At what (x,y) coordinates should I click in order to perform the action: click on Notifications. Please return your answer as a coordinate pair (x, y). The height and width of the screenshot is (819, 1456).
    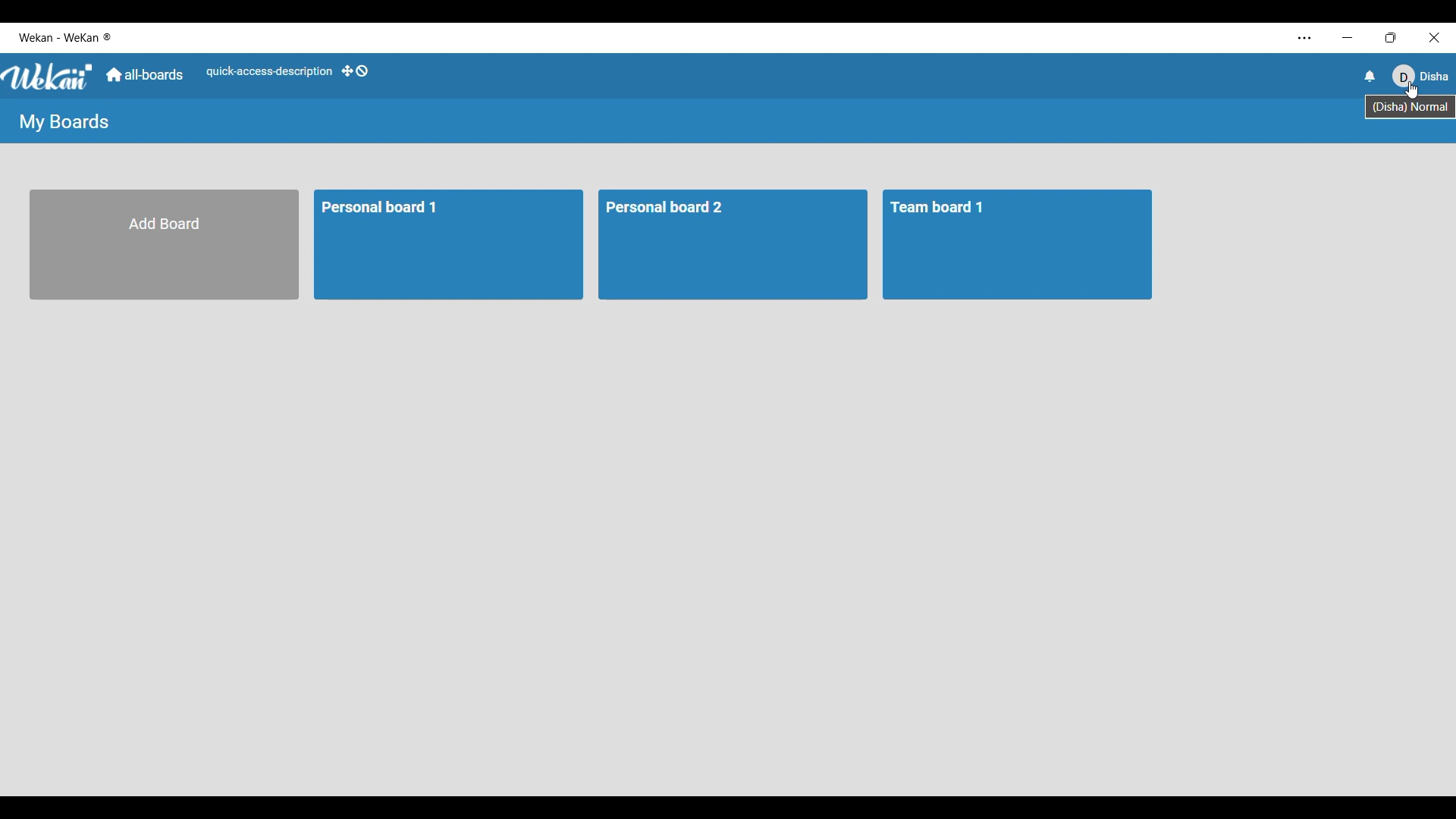
    Looking at the image, I should click on (1370, 76).